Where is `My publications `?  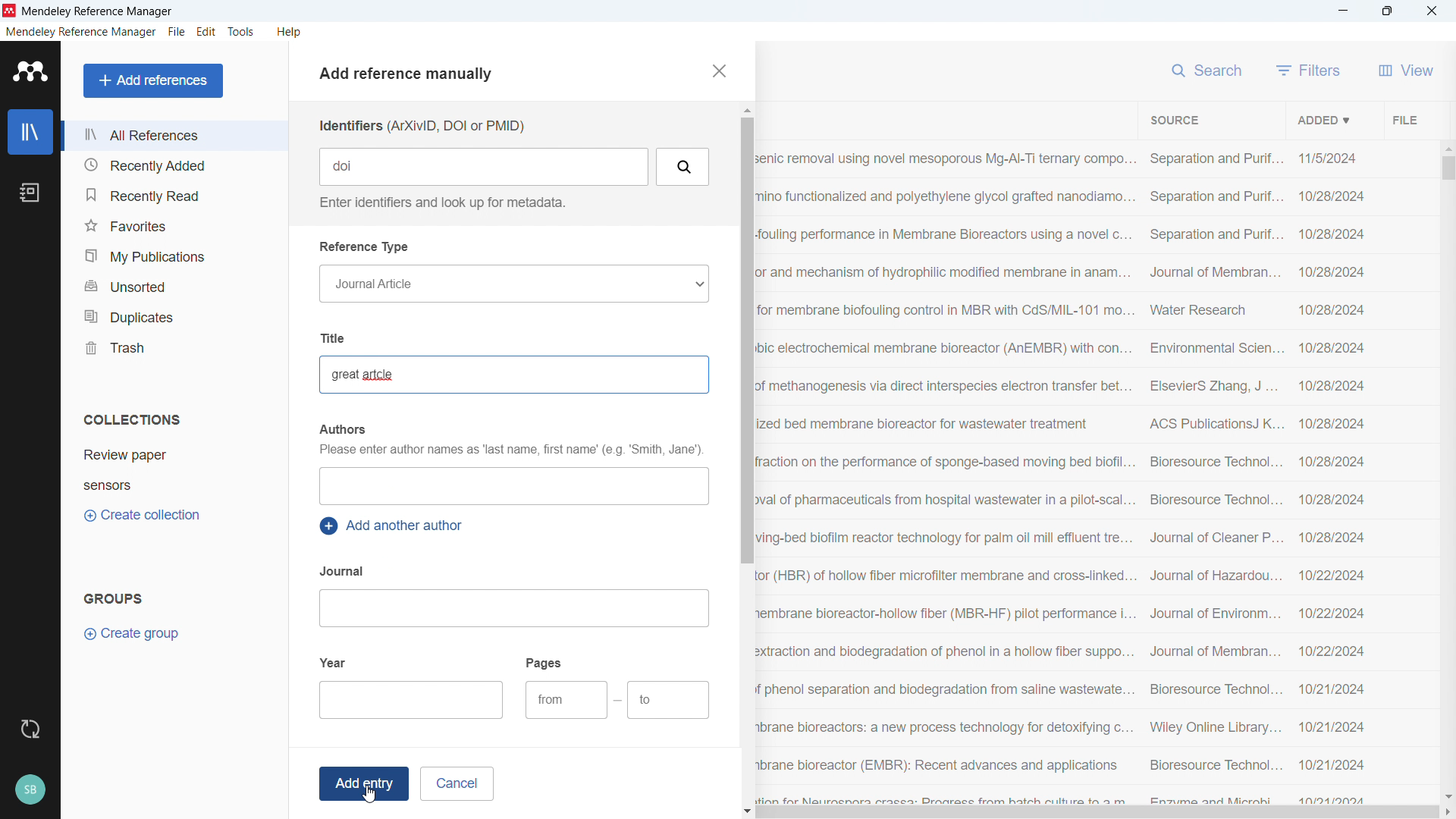
My publications  is located at coordinates (172, 256).